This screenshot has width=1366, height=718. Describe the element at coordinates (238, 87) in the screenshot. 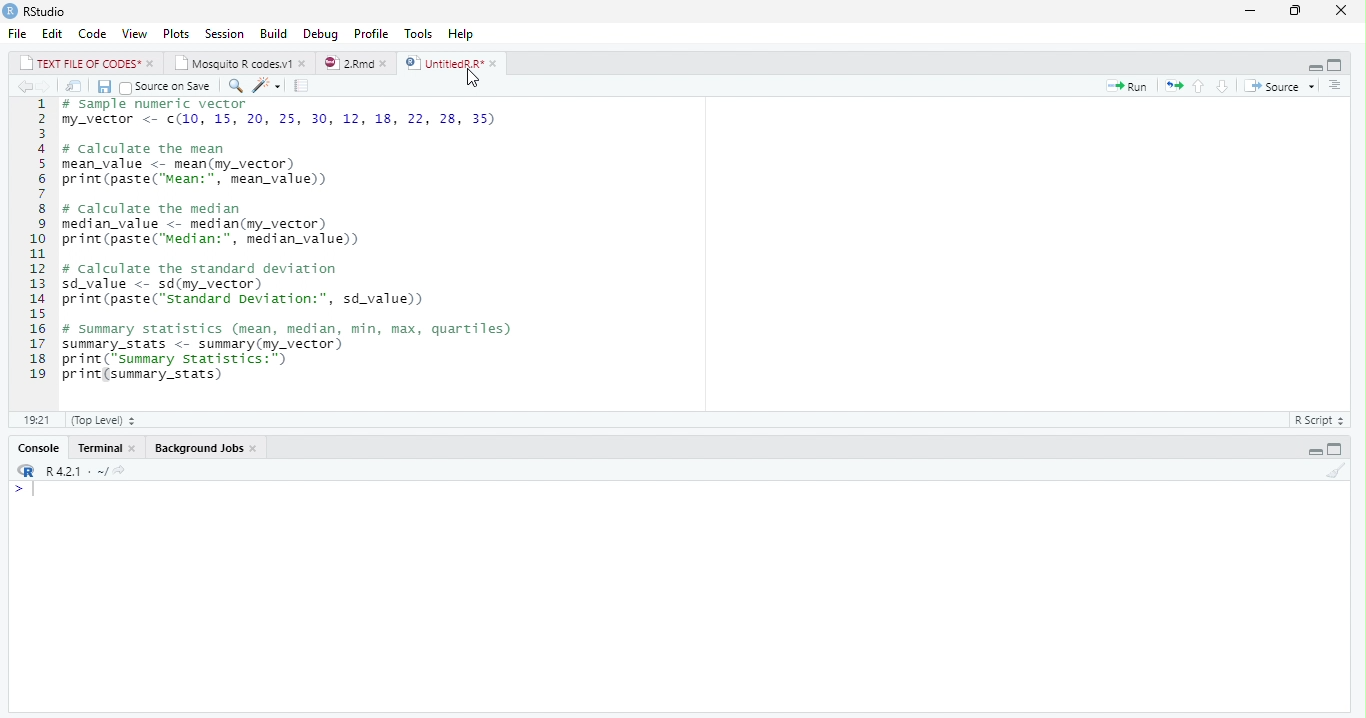

I see `find and replace` at that location.